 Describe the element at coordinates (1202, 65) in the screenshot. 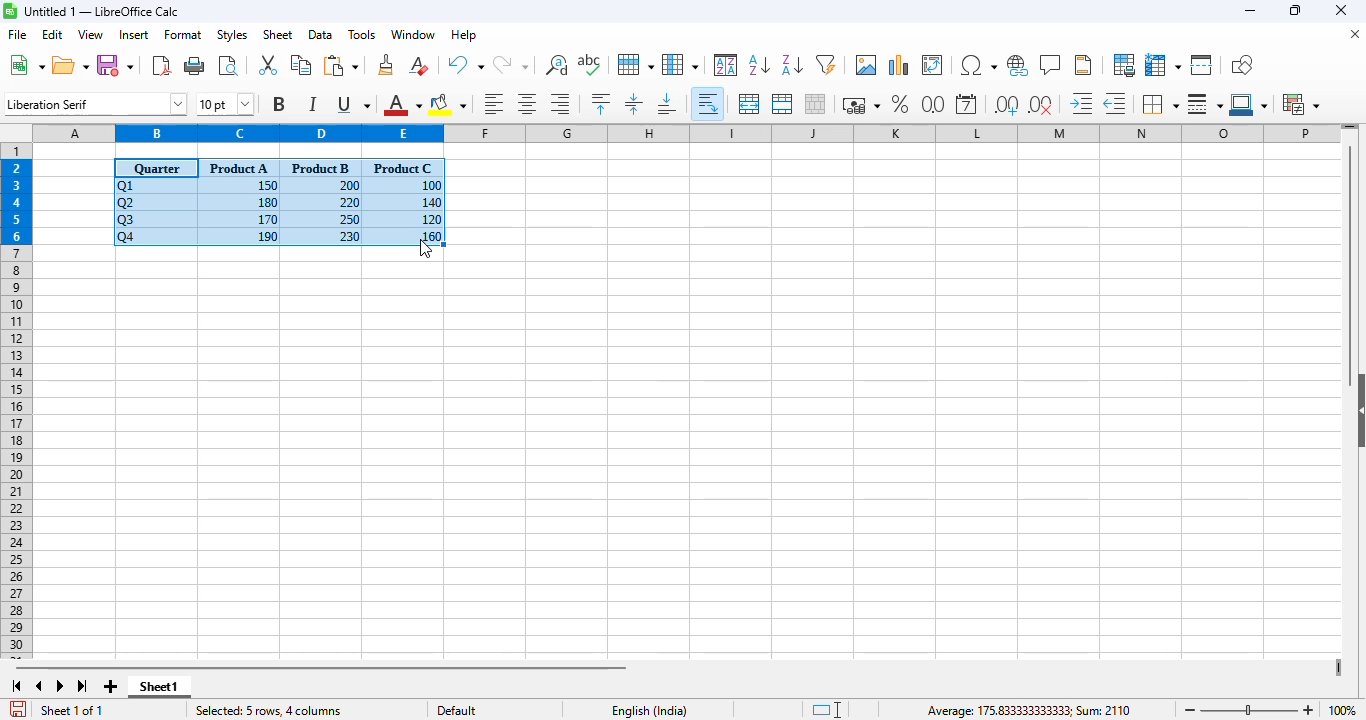

I see `split window` at that location.